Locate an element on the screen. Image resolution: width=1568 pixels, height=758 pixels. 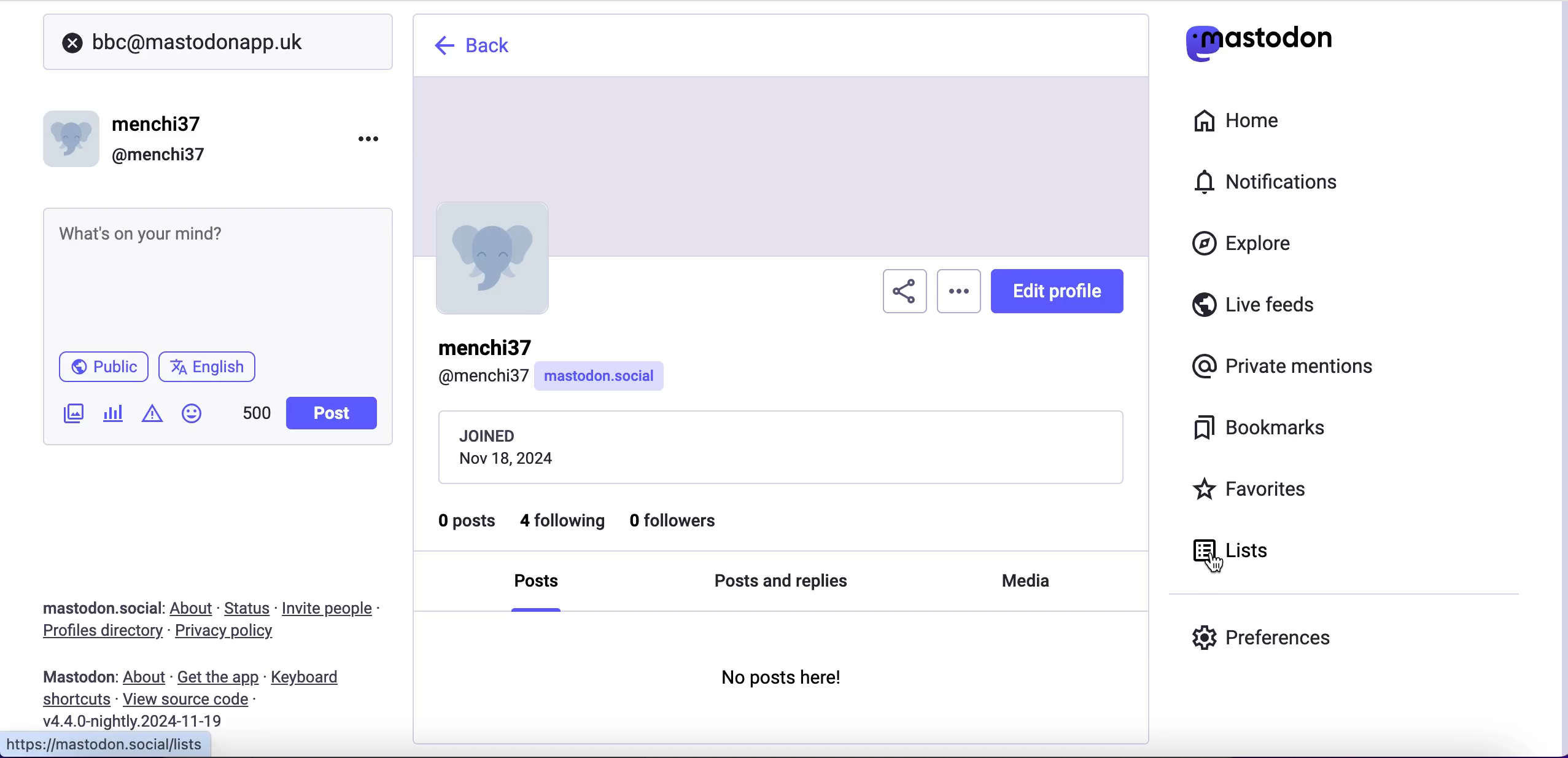
about is located at coordinates (147, 678).